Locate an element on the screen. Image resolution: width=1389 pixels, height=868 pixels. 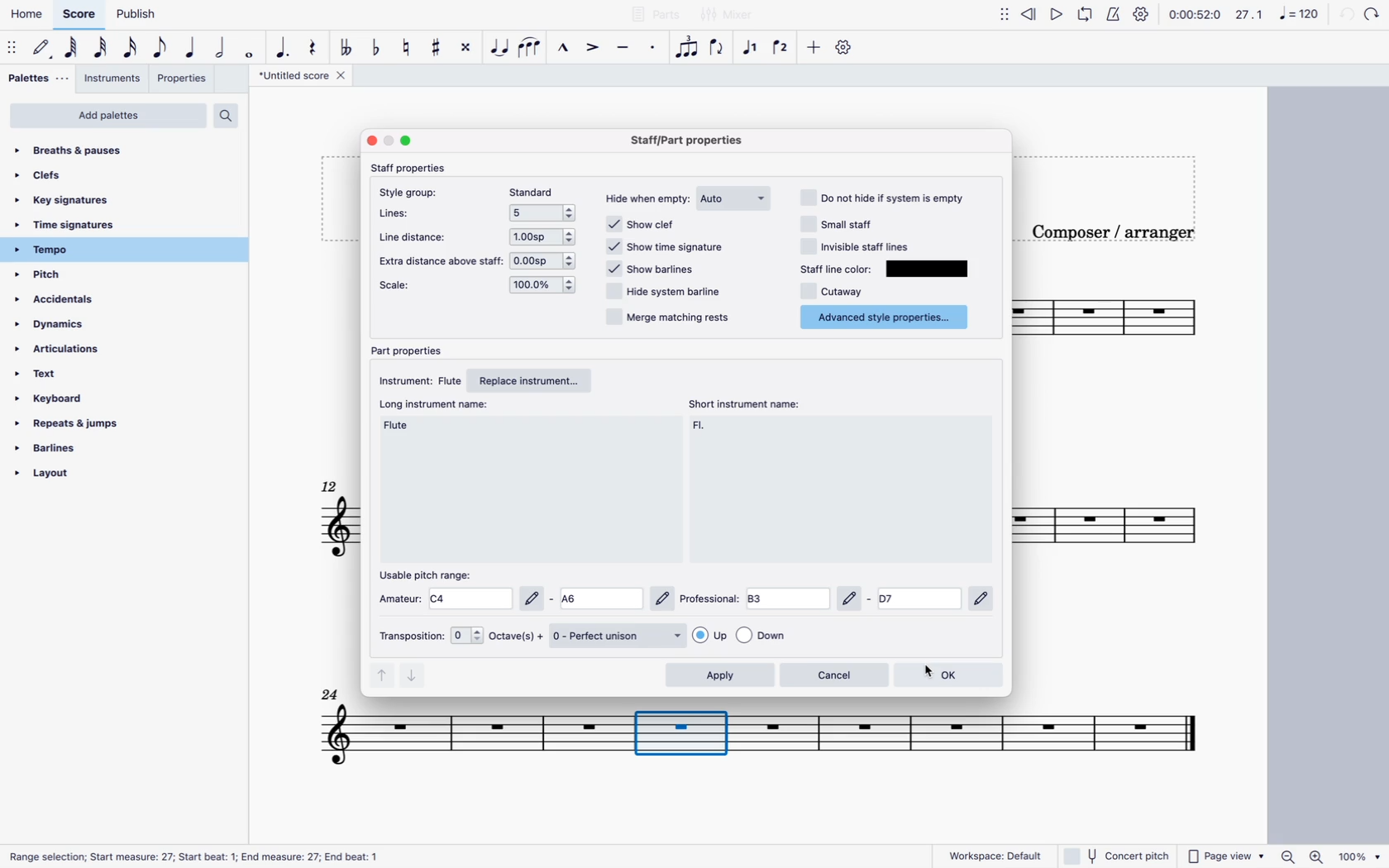
tie is located at coordinates (497, 50).